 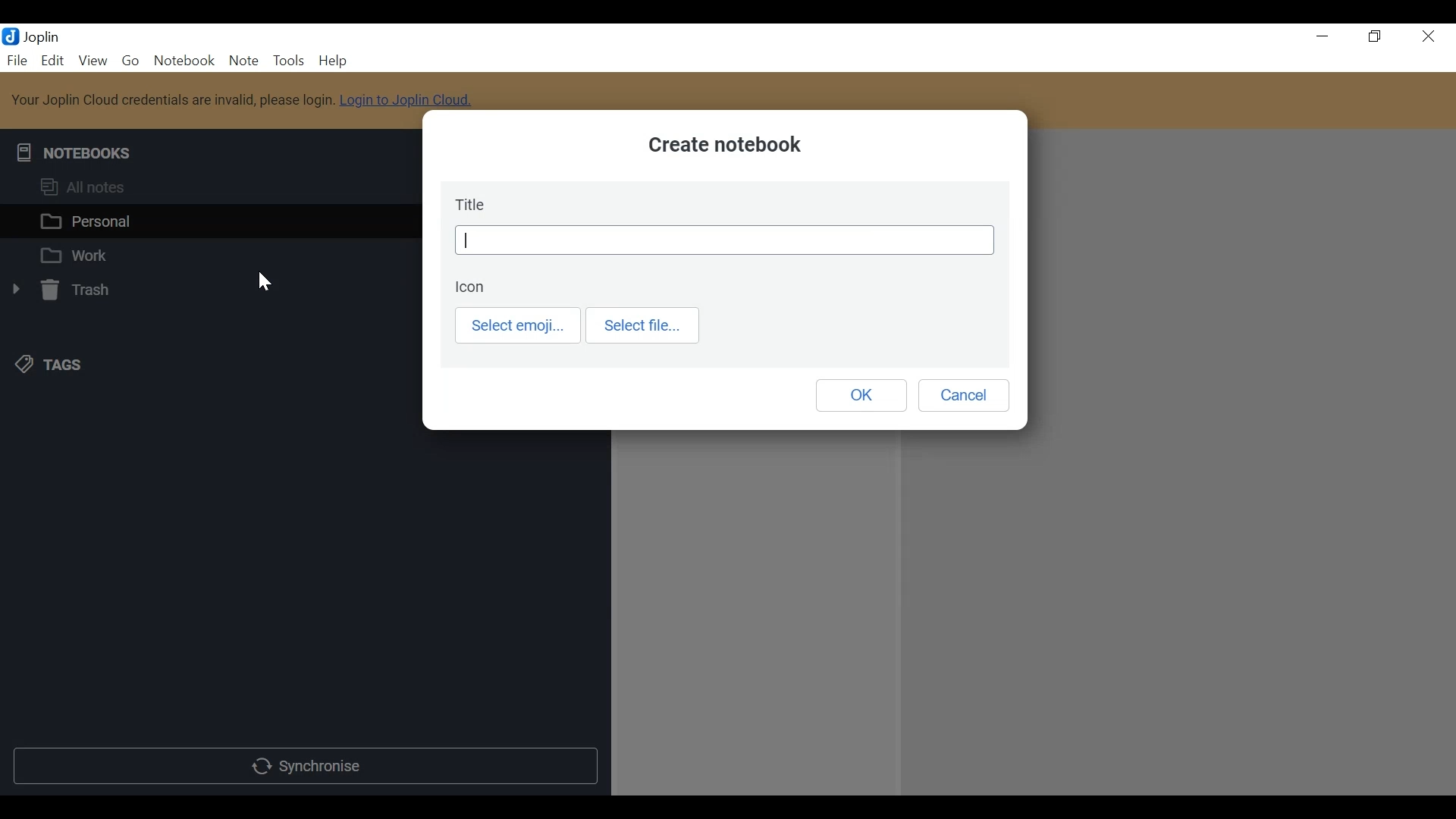 I want to click on Notebooks, so click(x=78, y=150).